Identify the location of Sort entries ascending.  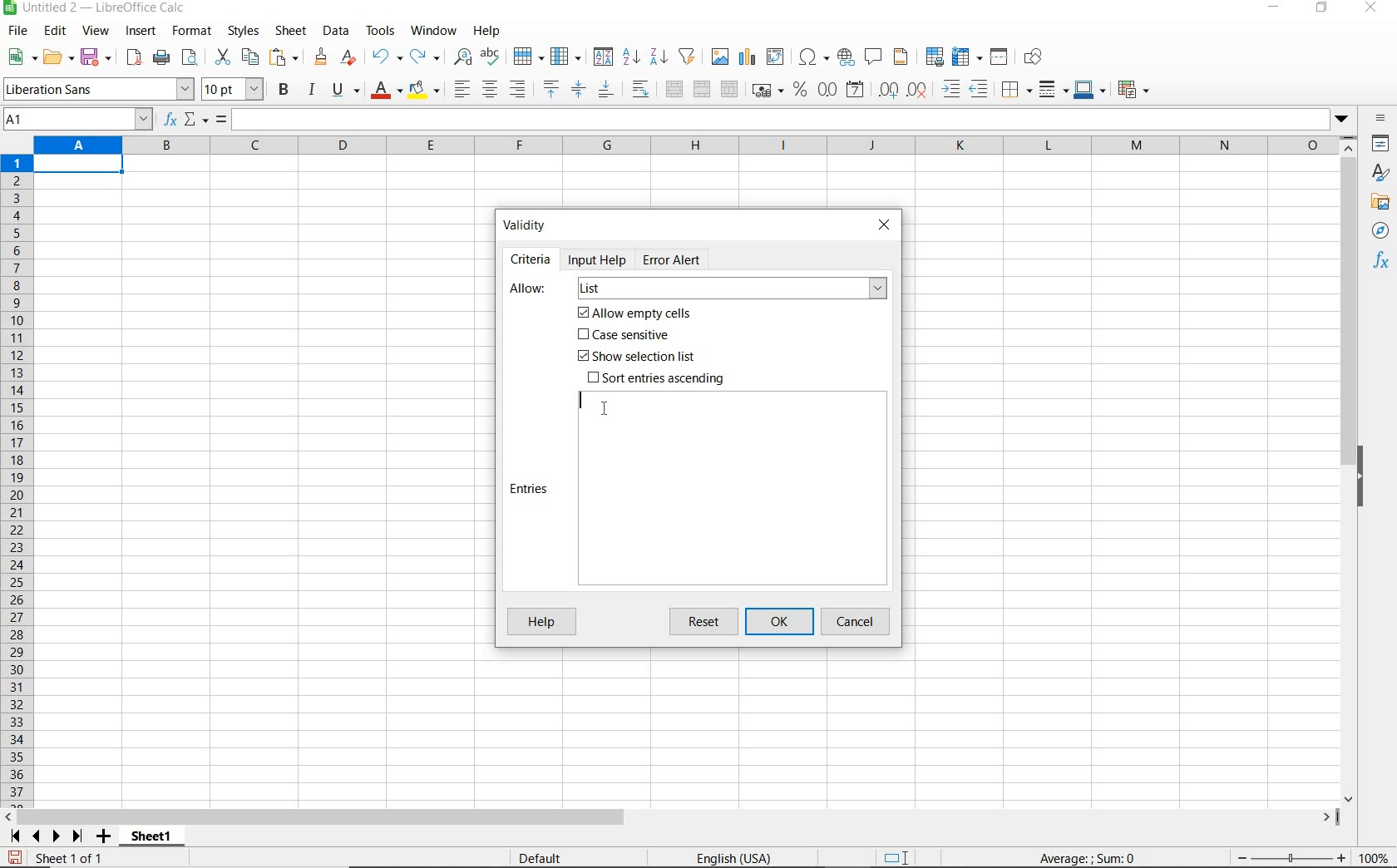
(658, 381).